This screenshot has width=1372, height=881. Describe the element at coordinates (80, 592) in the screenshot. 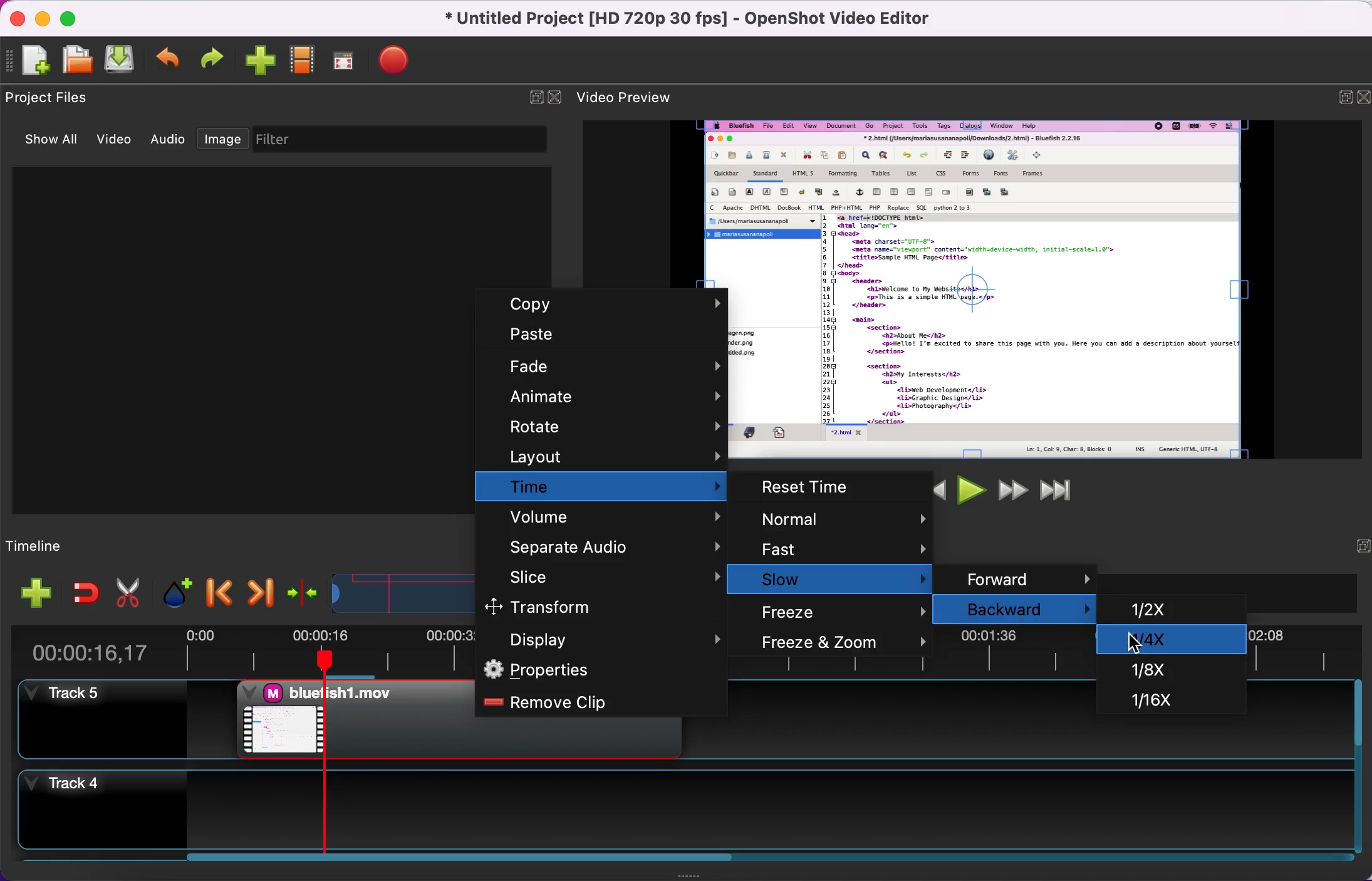

I see `enable snapping` at that location.